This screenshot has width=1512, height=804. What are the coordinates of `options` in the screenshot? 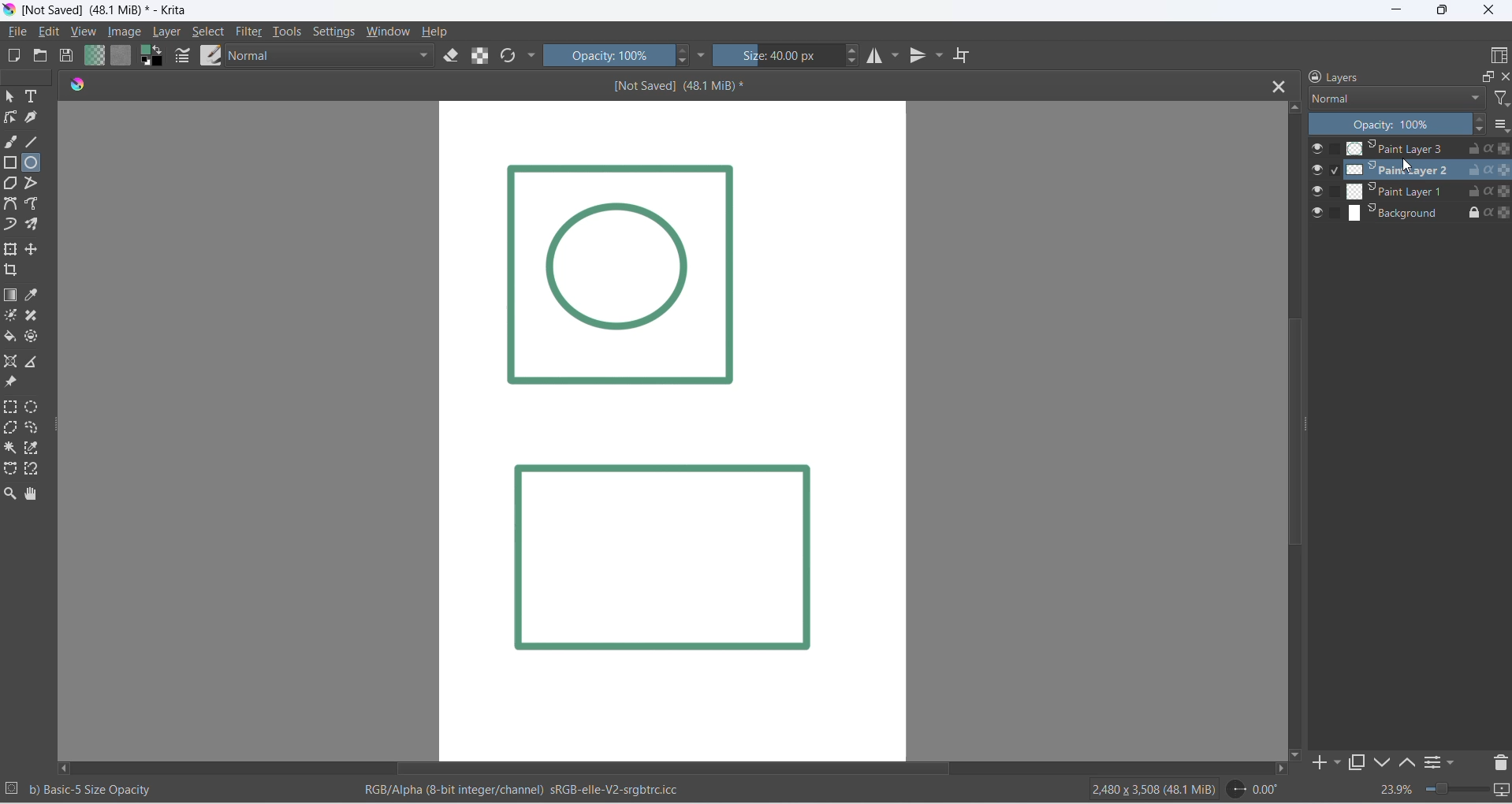 It's located at (1503, 124).